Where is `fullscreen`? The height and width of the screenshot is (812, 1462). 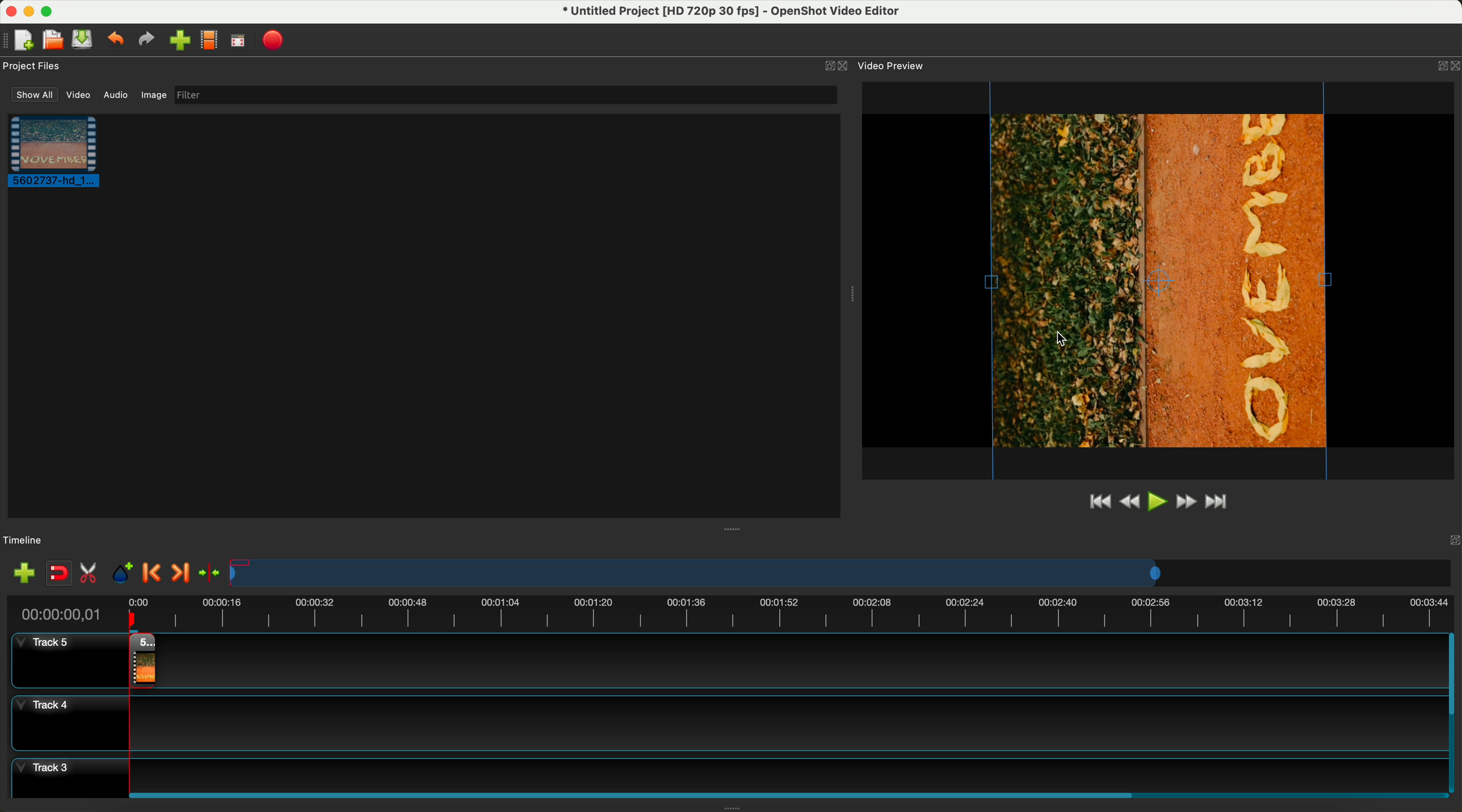
fullscreen is located at coordinates (237, 41).